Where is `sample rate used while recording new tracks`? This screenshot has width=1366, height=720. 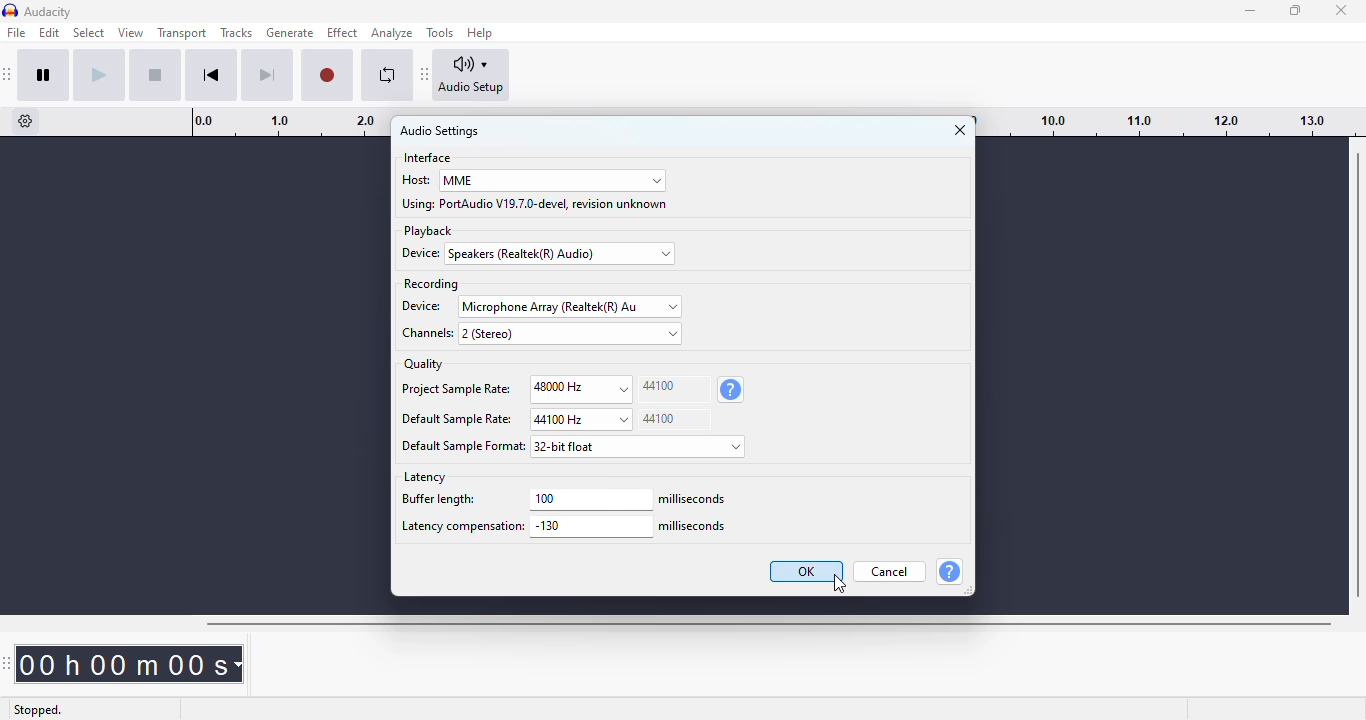 sample rate used while recording new tracks is located at coordinates (730, 390).